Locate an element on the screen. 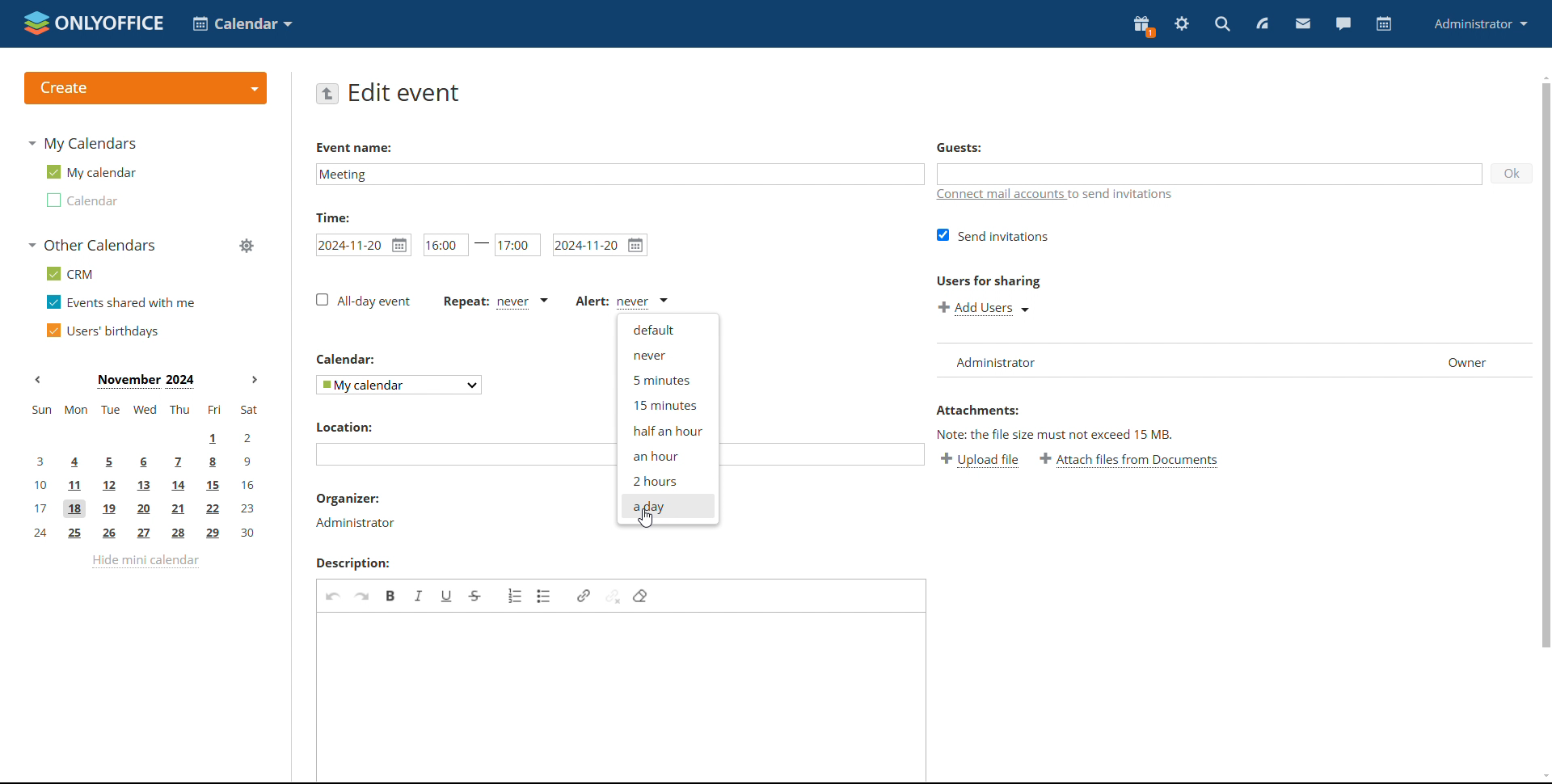 This screenshot has width=1552, height=784. go back is located at coordinates (327, 94).